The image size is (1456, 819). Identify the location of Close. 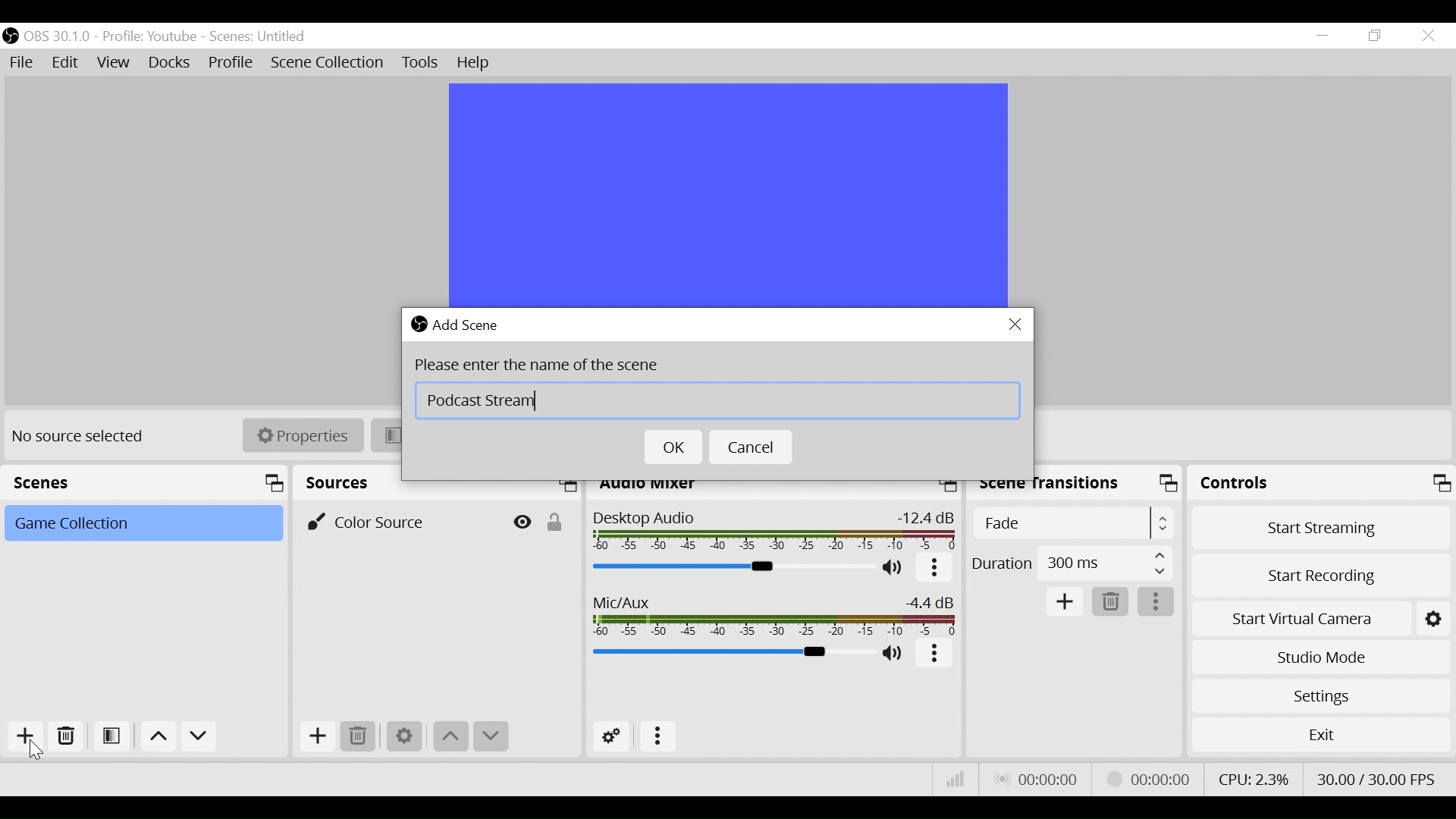
(1427, 36).